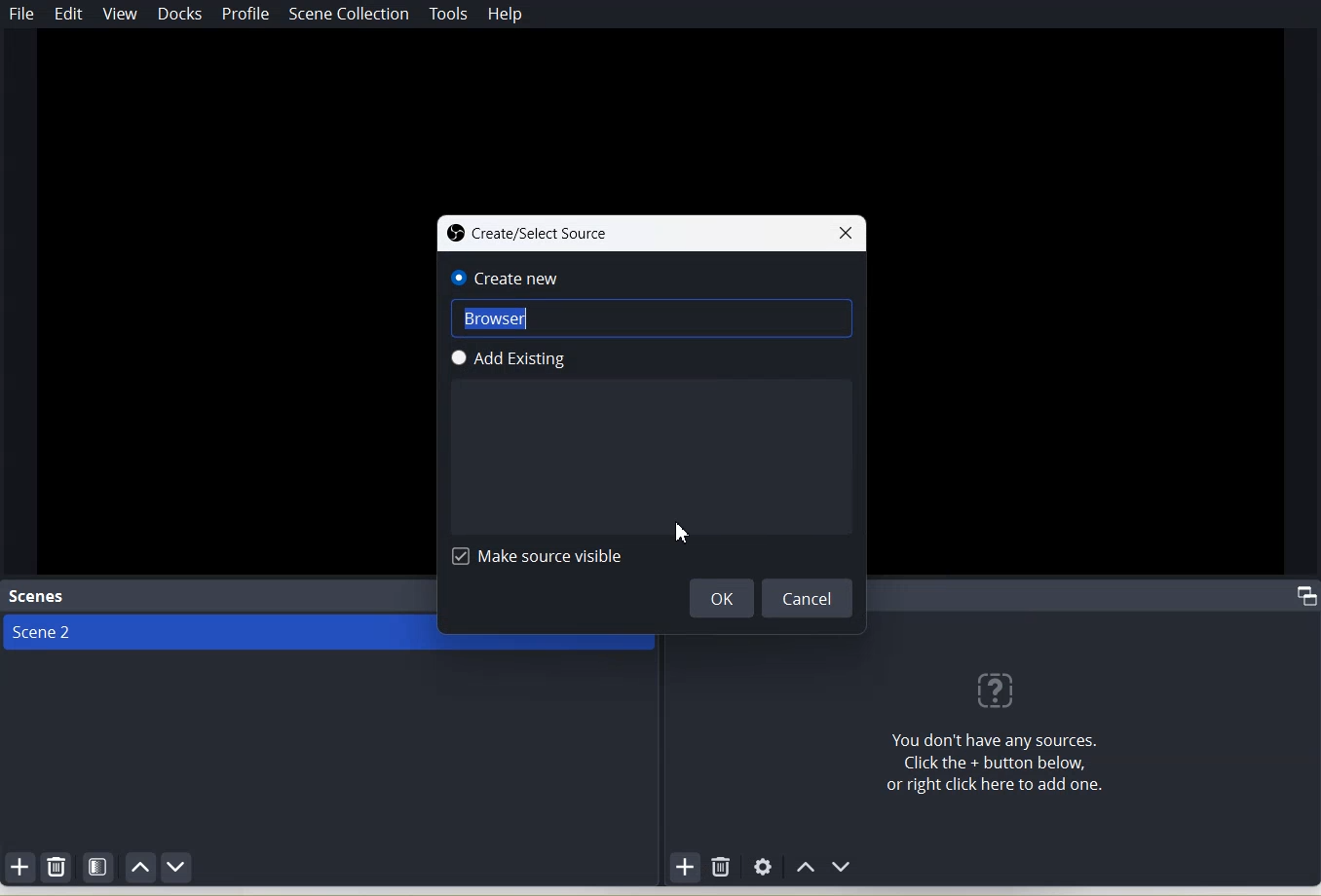 The image size is (1321, 896). I want to click on Help, so click(506, 14).